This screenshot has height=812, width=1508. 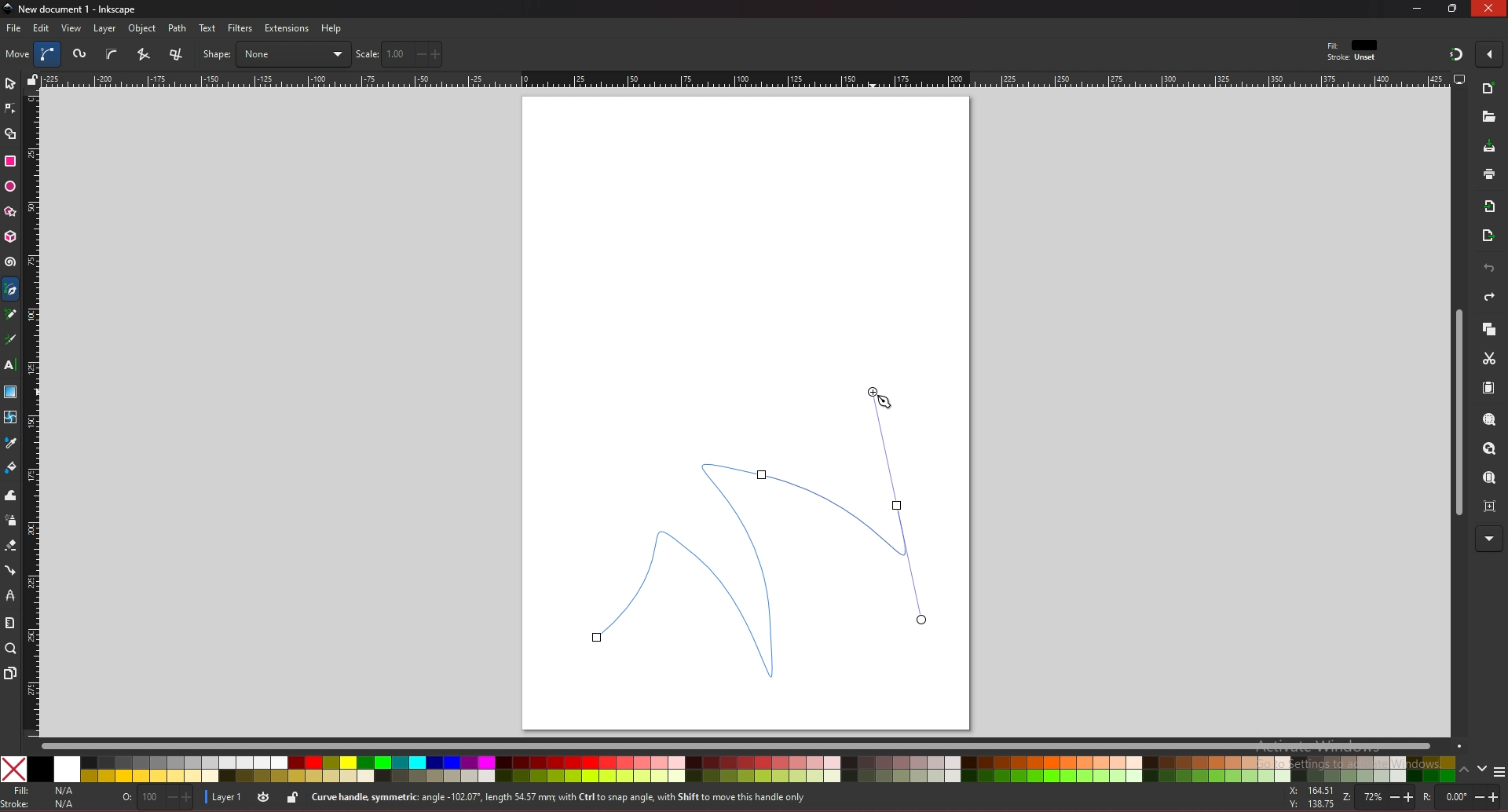 I want to click on minimize, so click(x=1418, y=8).